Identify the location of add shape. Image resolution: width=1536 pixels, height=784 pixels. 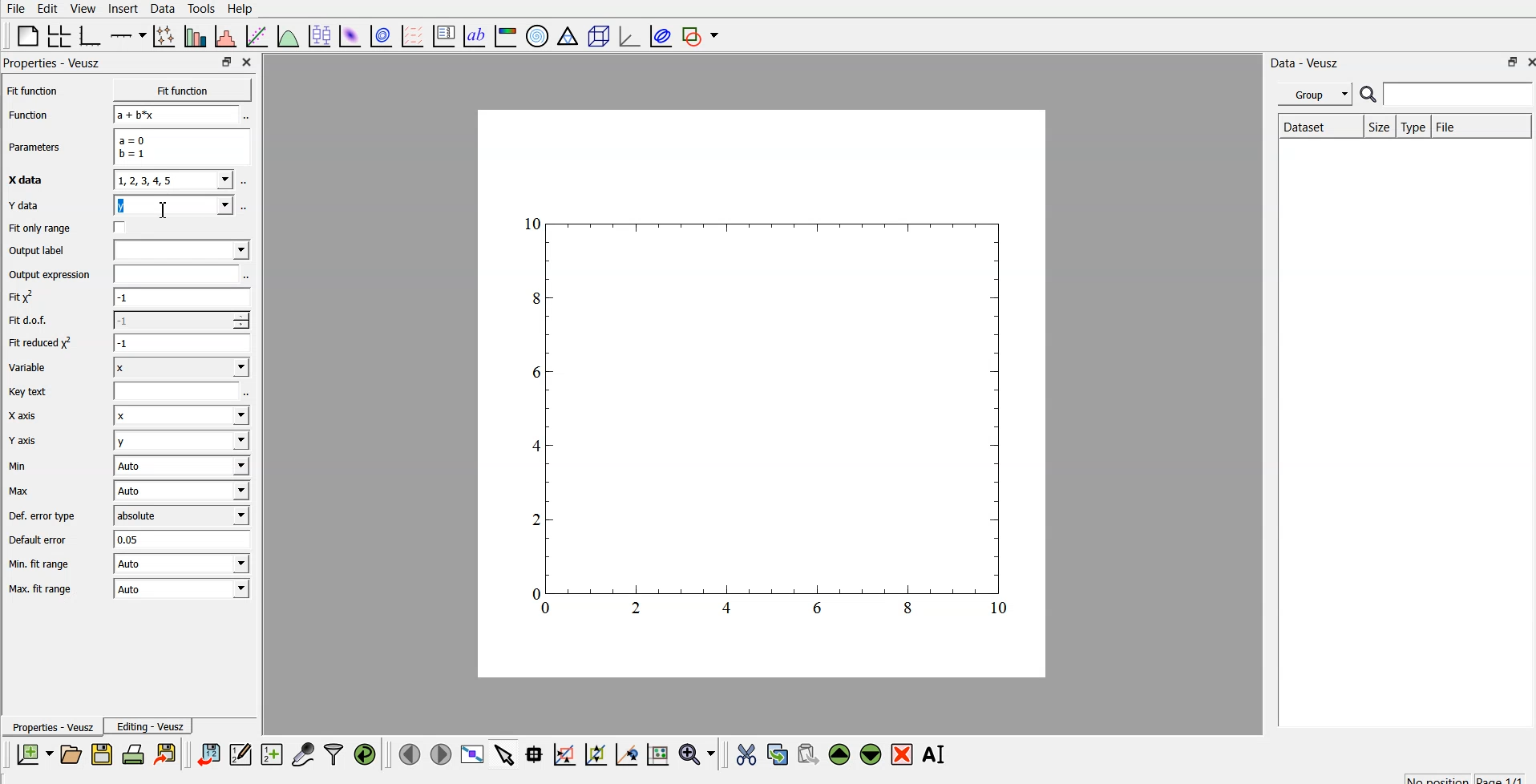
(705, 36).